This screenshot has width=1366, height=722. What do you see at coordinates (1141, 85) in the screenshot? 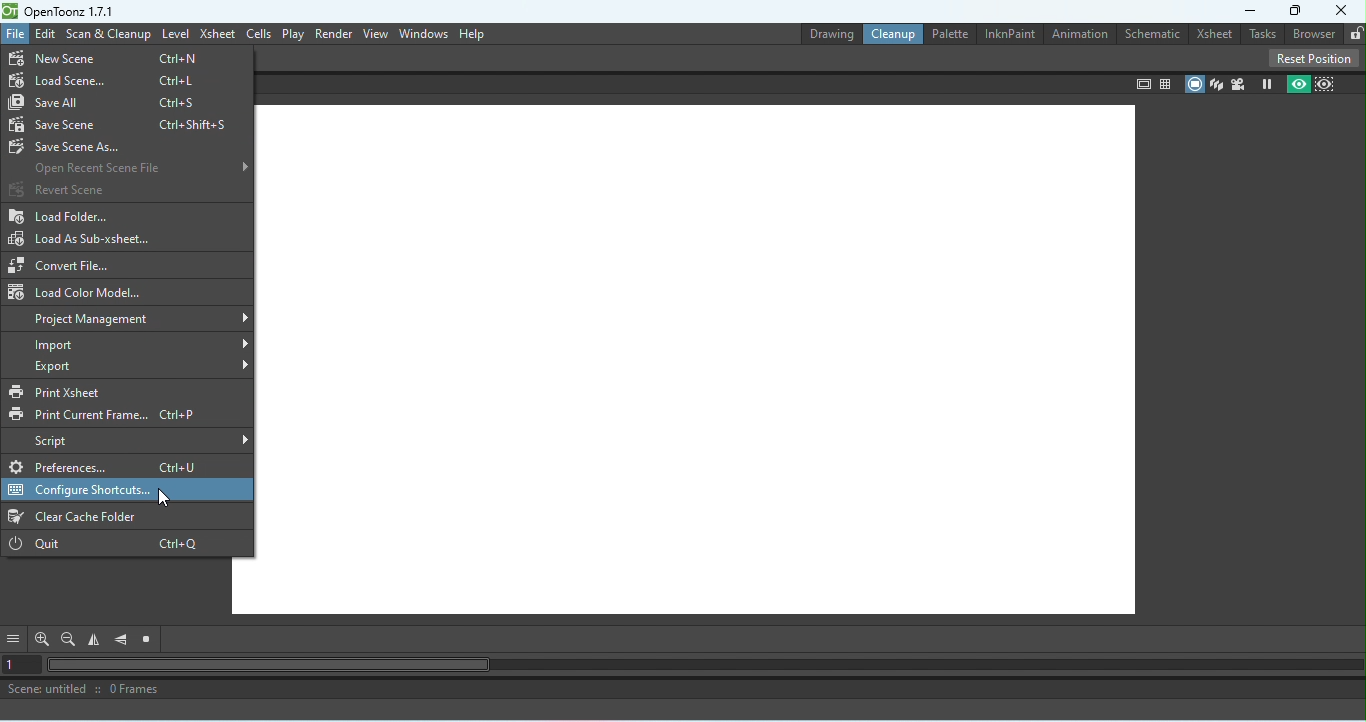
I see `Safe area` at bounding box center [1141, 85].